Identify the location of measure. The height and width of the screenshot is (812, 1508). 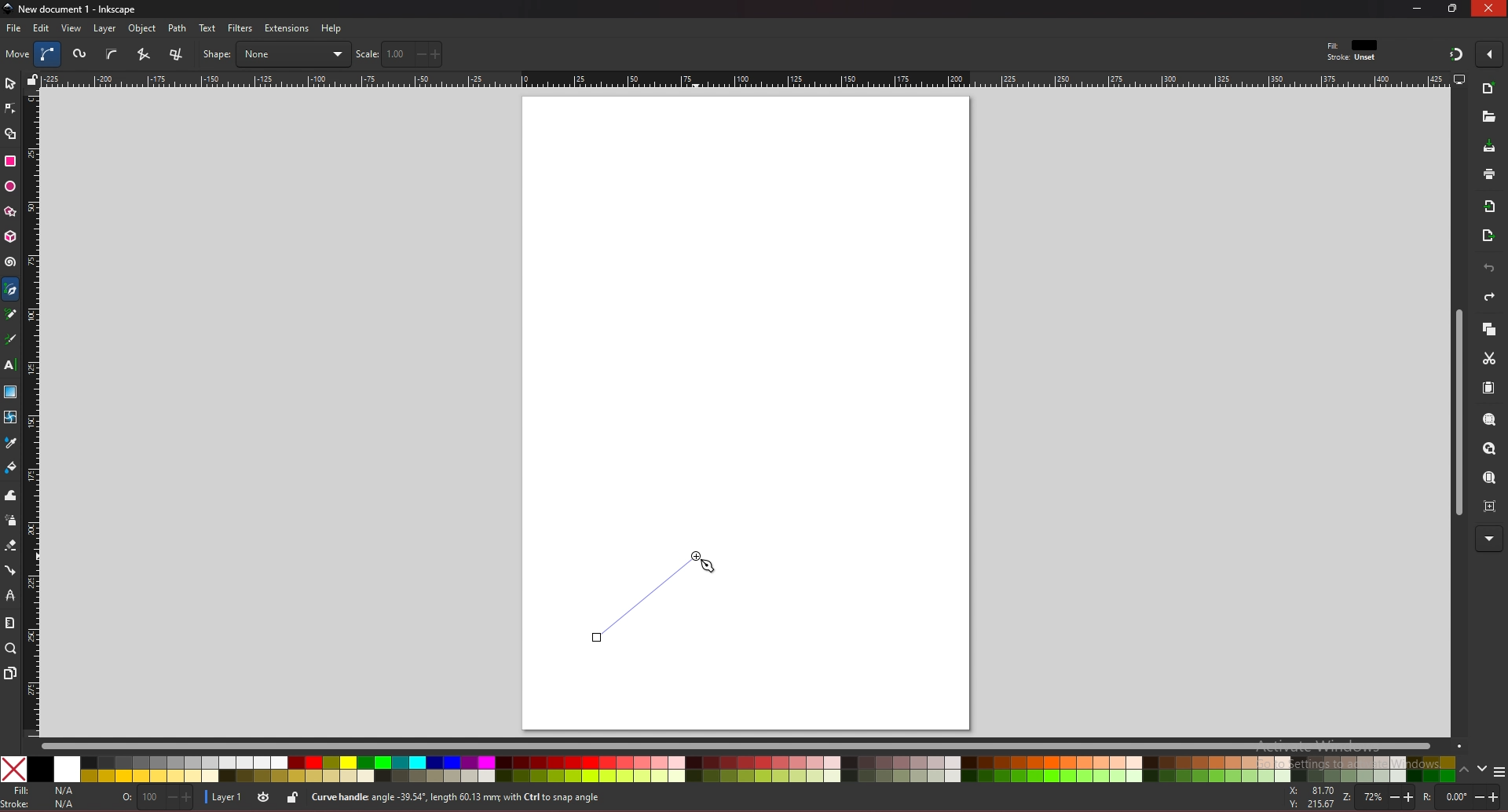
(9, 623).